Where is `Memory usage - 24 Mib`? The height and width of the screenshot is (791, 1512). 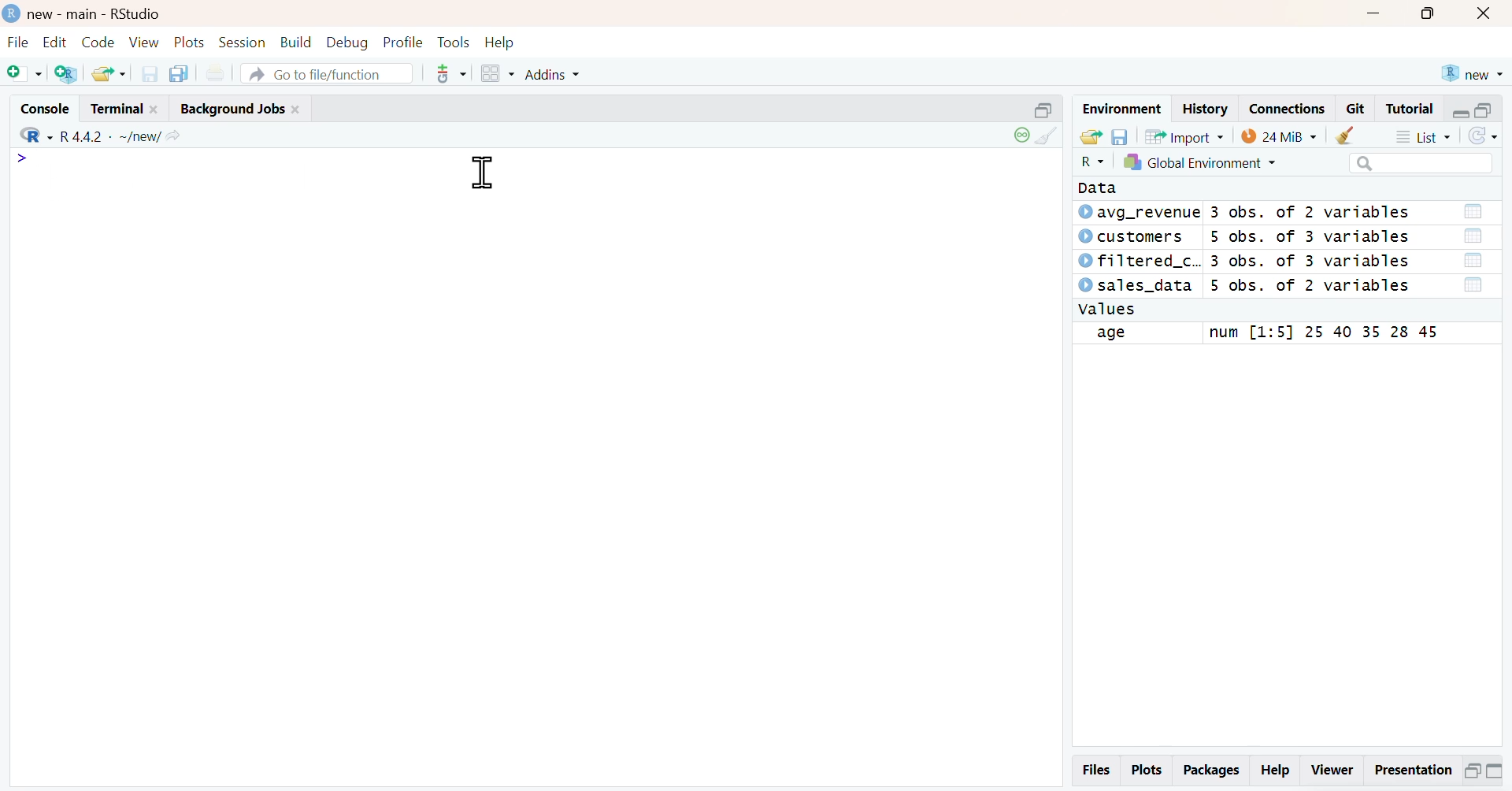
Memory usage - 24 Mib is located at coordinates (1279, 135).